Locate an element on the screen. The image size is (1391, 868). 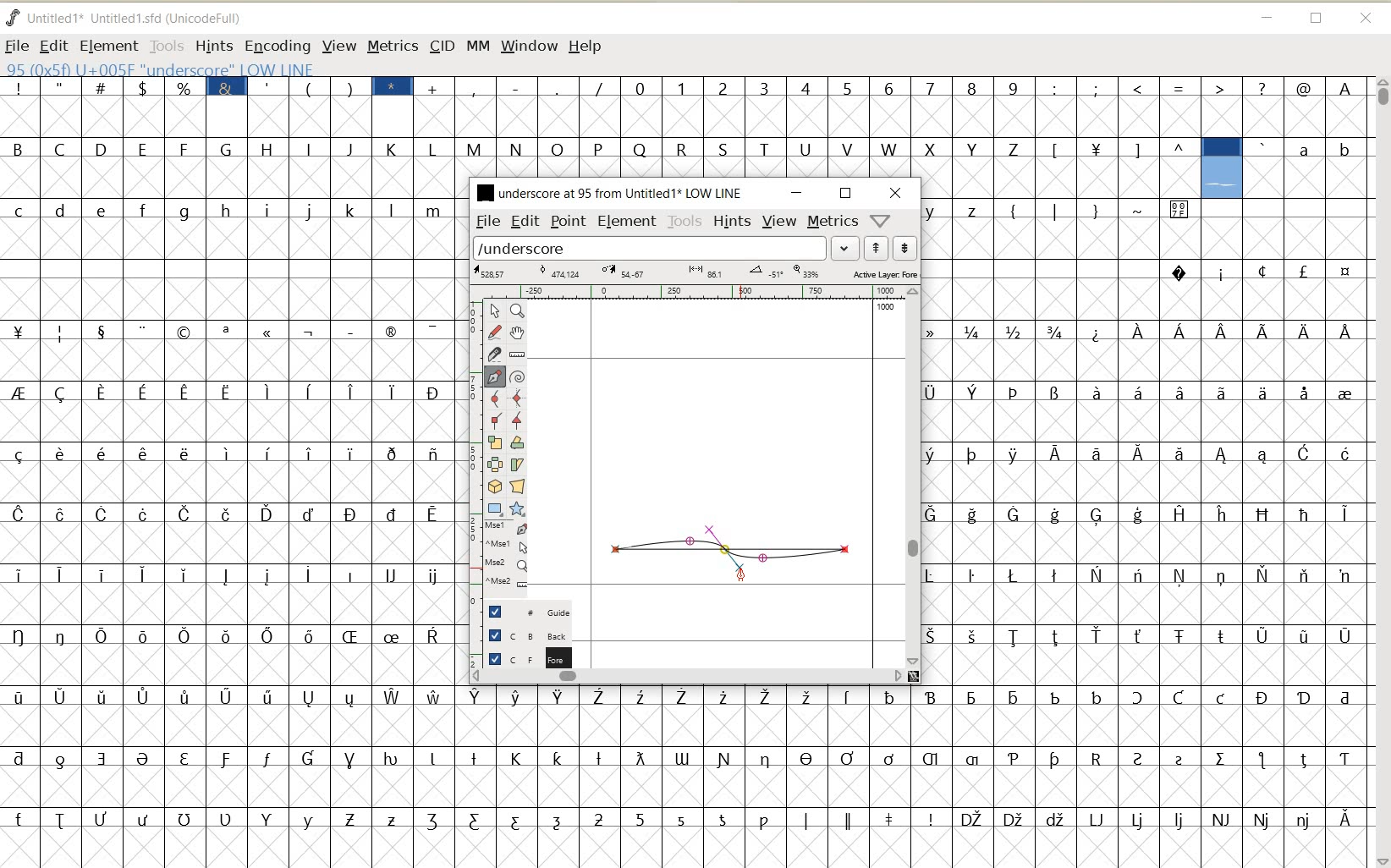
GLYPHY CHARACTERS & NUMBERS is located at coordinates (688, 767).